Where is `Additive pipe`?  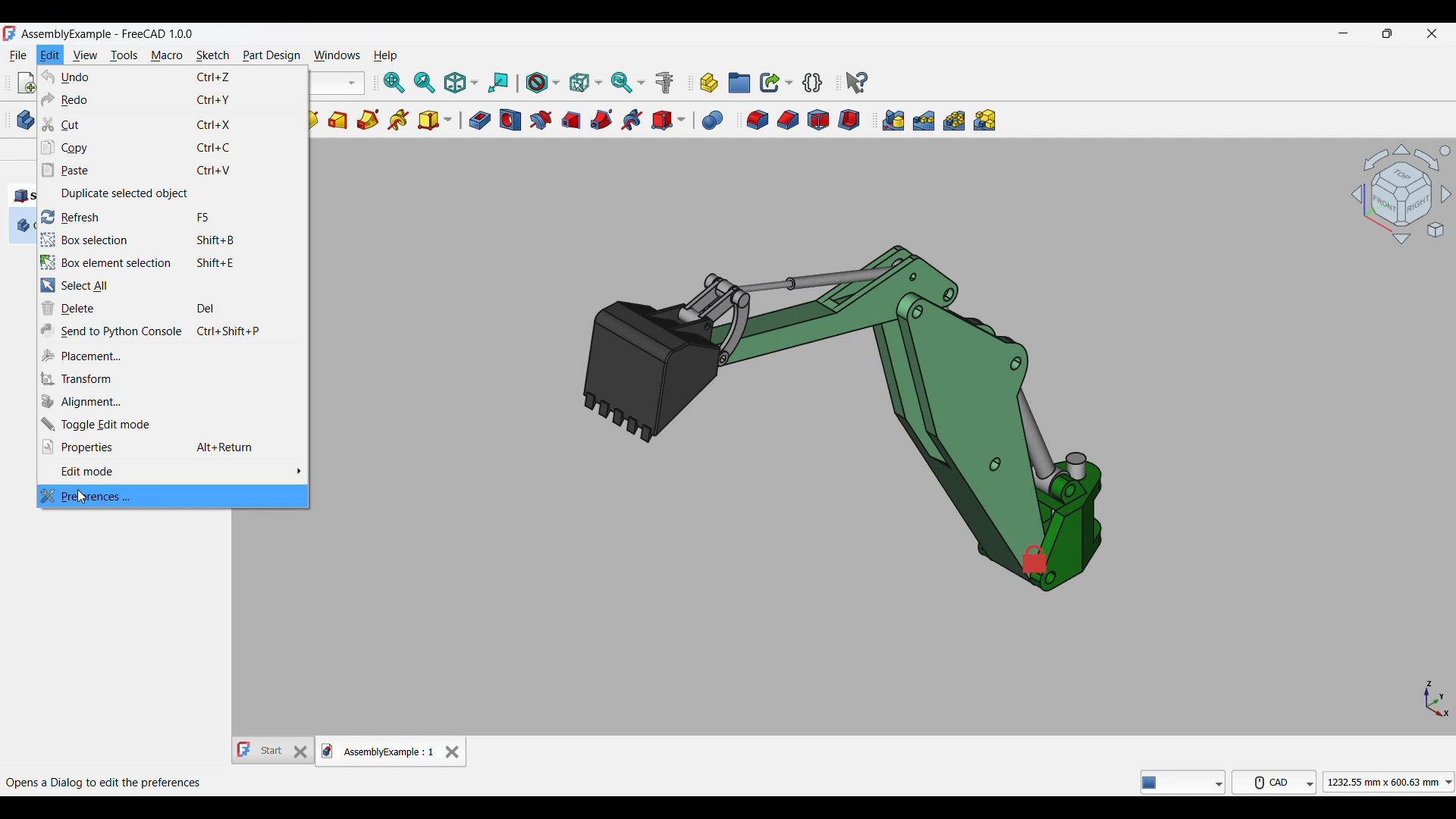
Additive pipe is located at coordinates (368, 120).